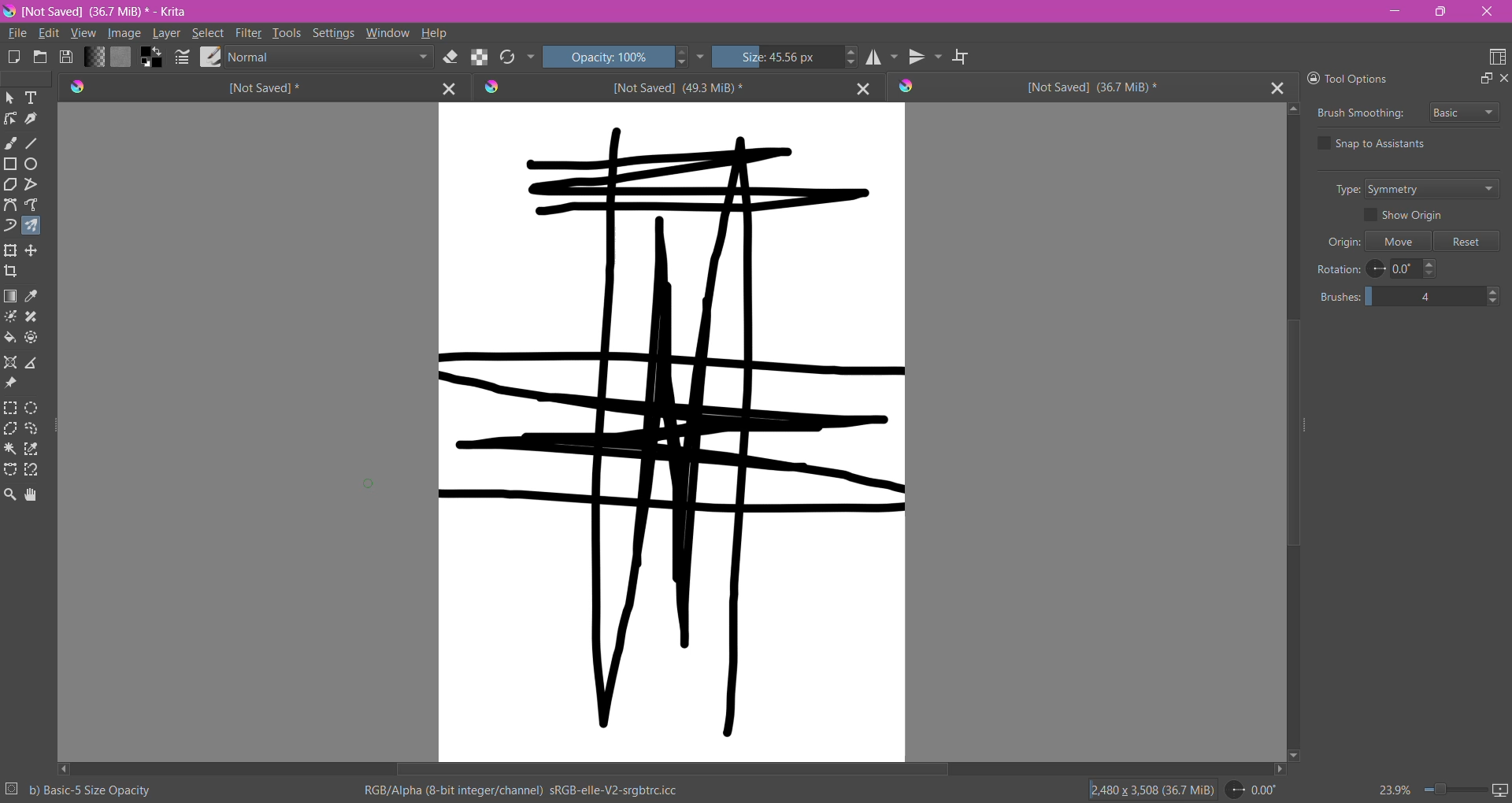 The image size is (1512, 803). I want to click on Set Eraser Mode, so click(449, 58).